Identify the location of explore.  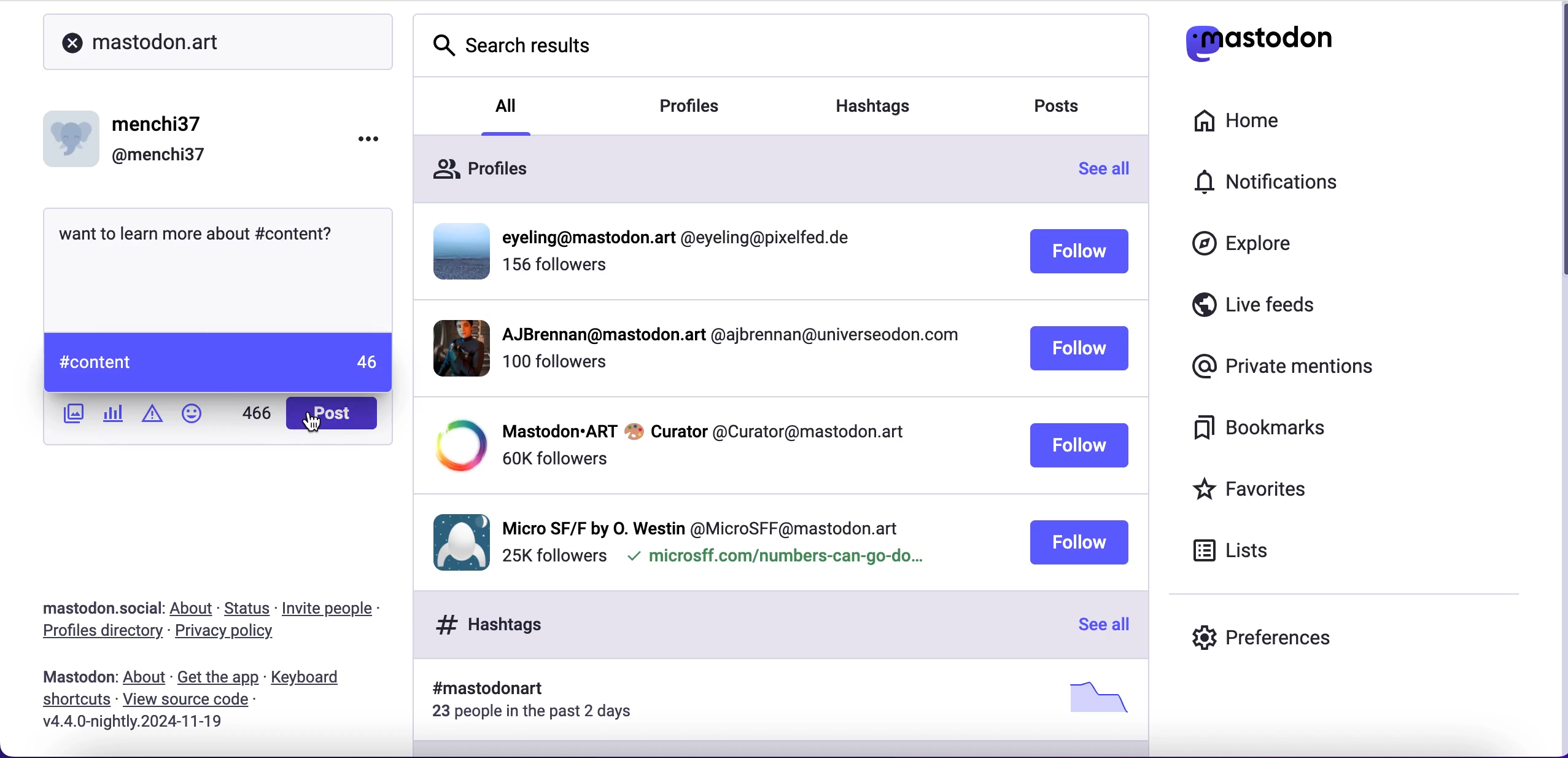
(1246, 249).